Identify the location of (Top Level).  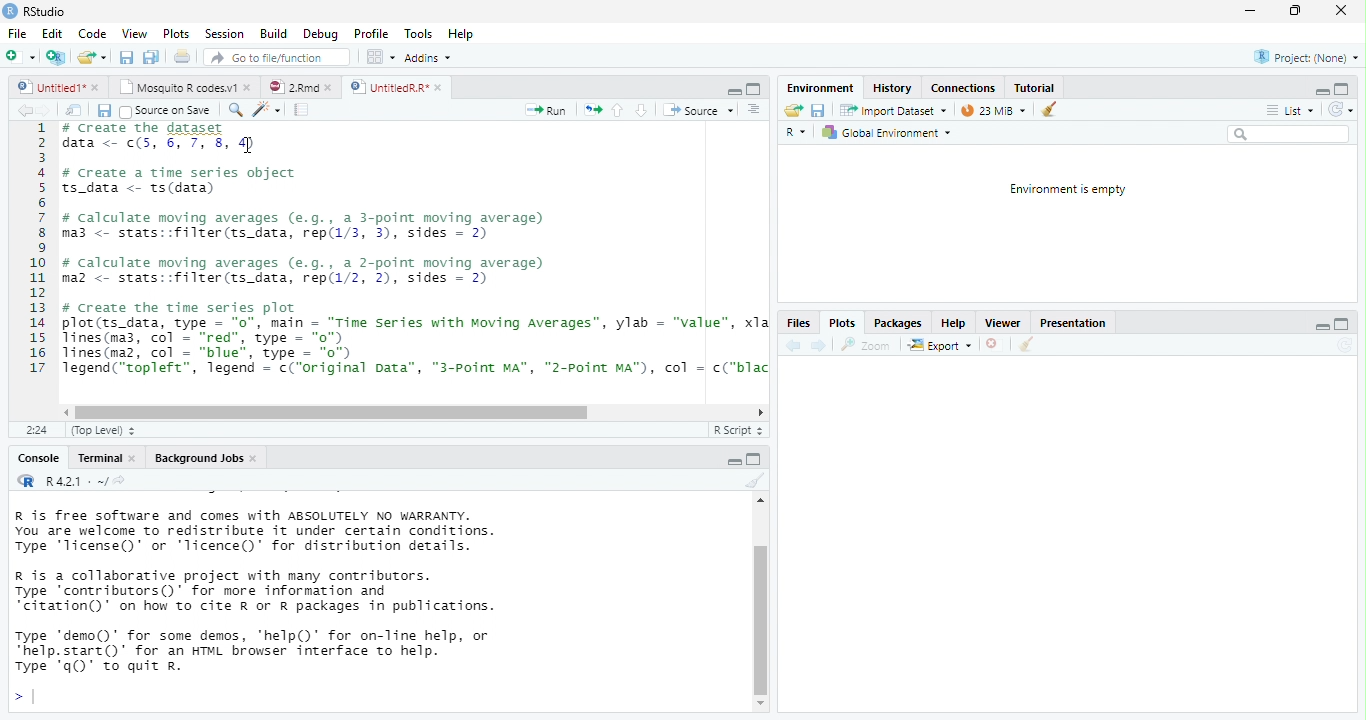
(98, 431).